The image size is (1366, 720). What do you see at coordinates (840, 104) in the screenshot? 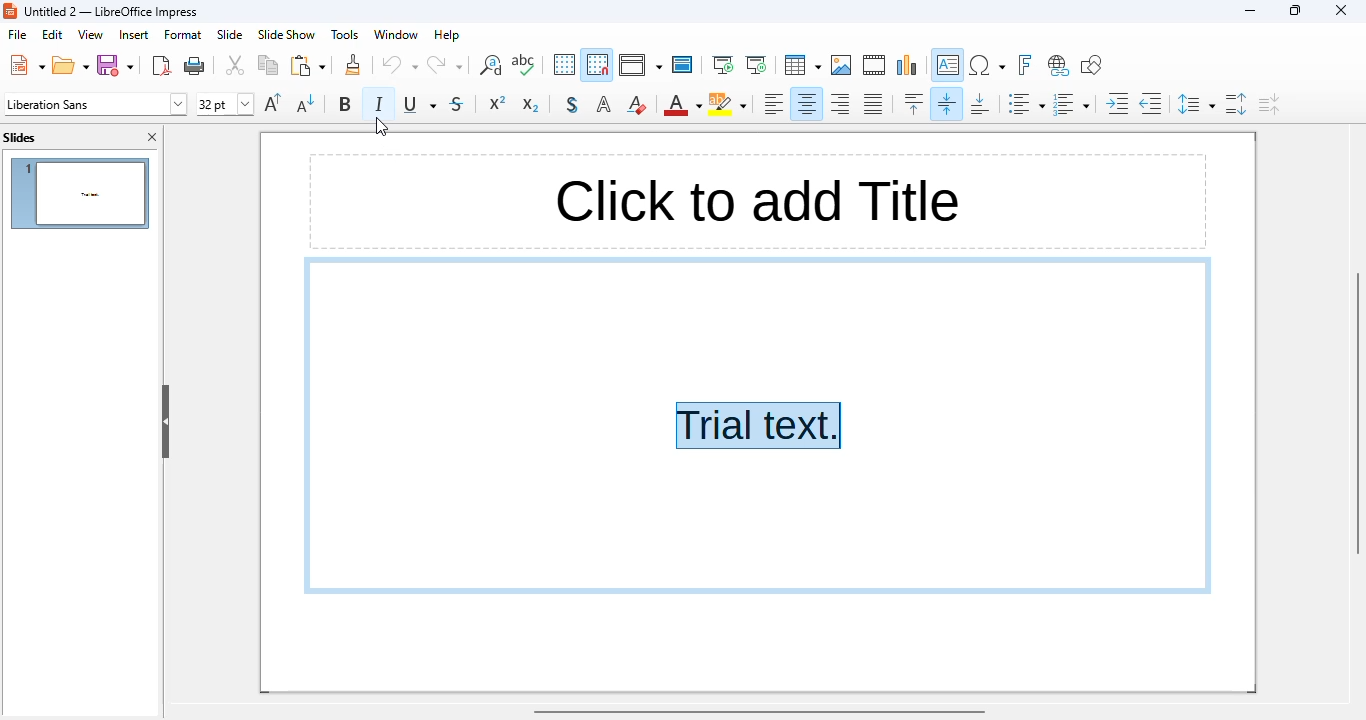
I see `align right` at bounding box center [840, 104].